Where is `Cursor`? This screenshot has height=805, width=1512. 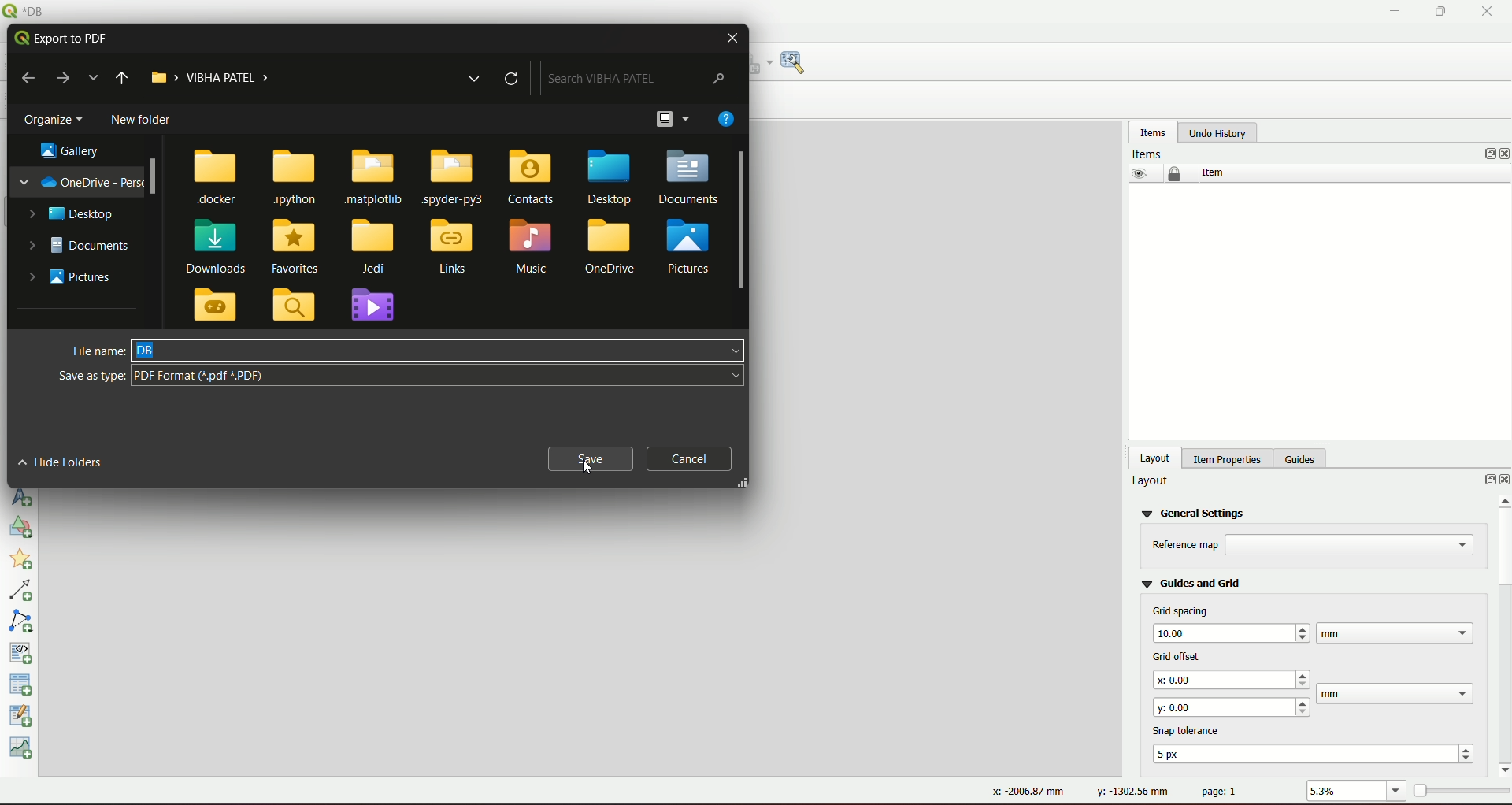
Cursor is located at coordinates (590, 468).